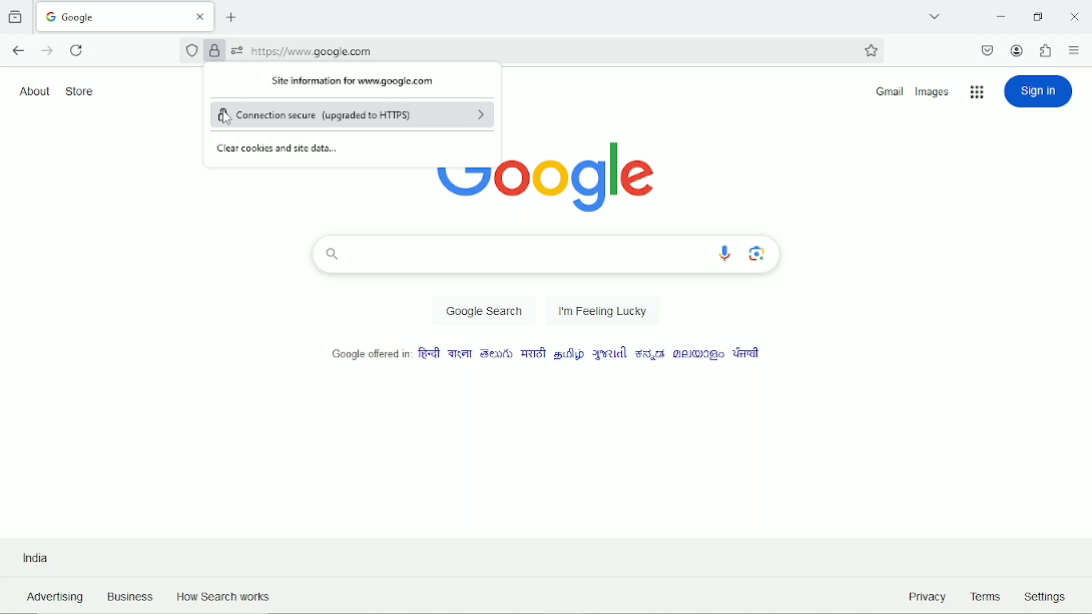 This screenshot has width=1092, height=614. I want to click on Close, so click(1072, 14).